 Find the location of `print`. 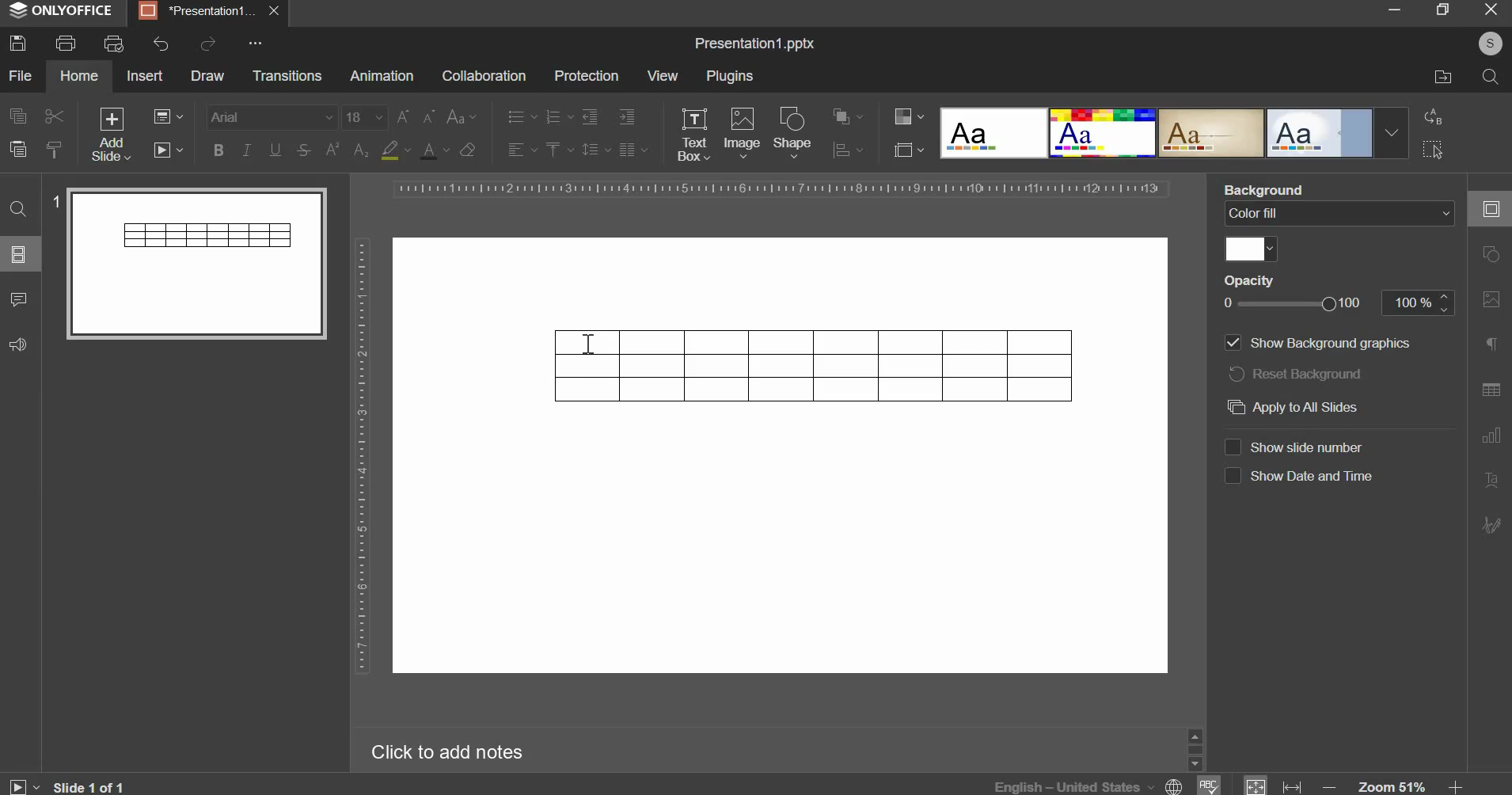

print is located at coordinates (66, 43).